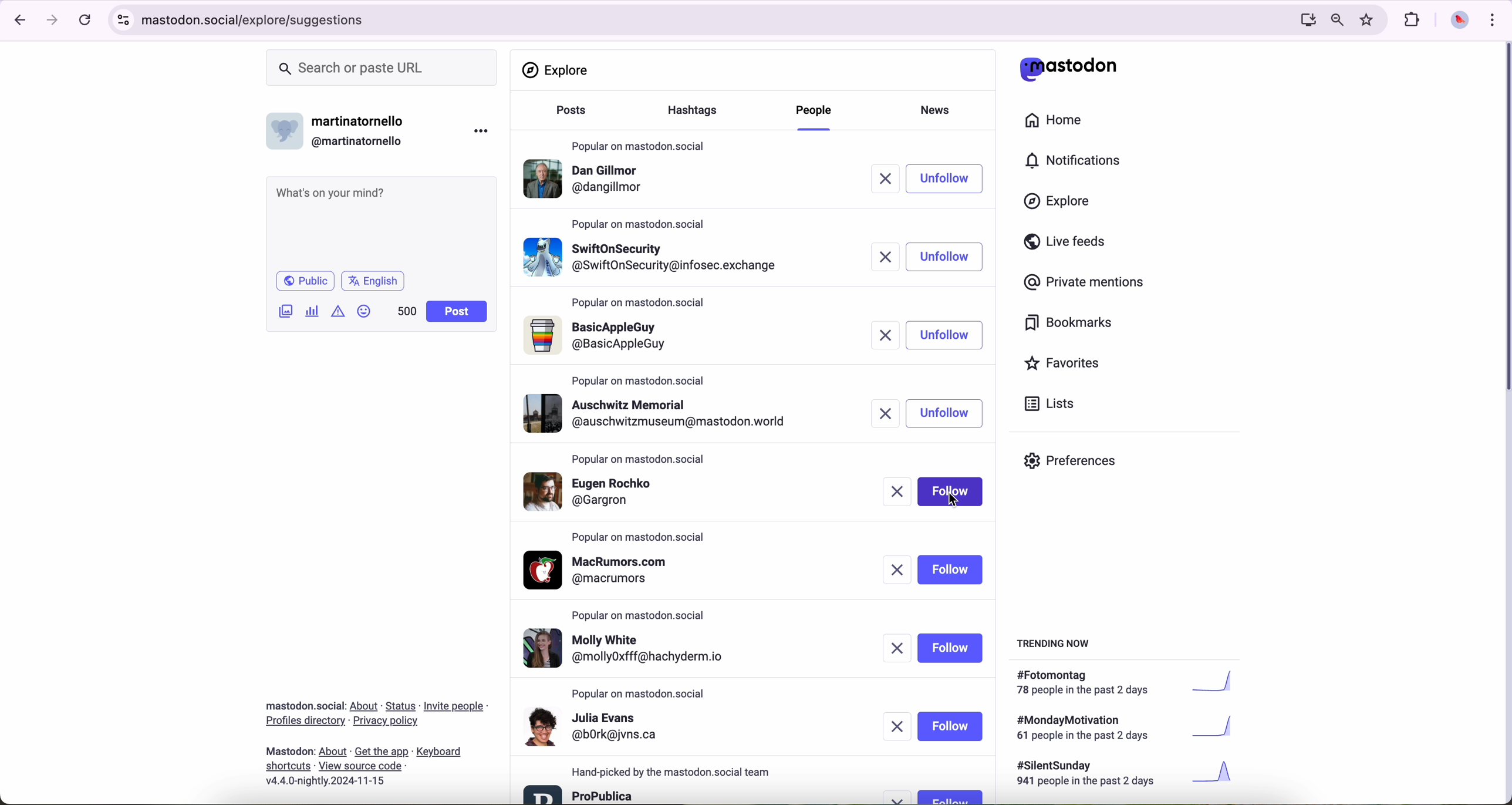  I want to click on home, so click(1060, 123).